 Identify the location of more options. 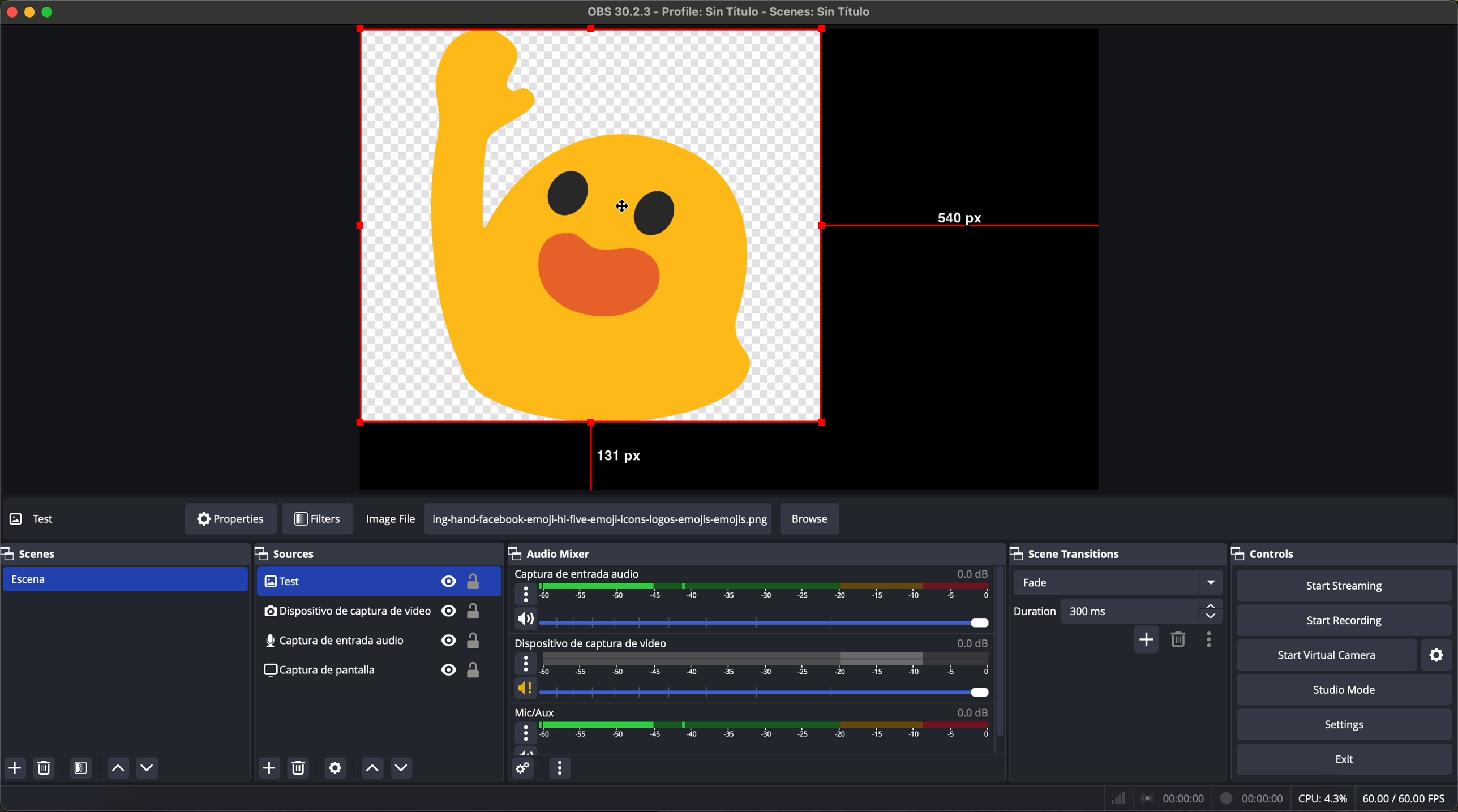
(526, 594).